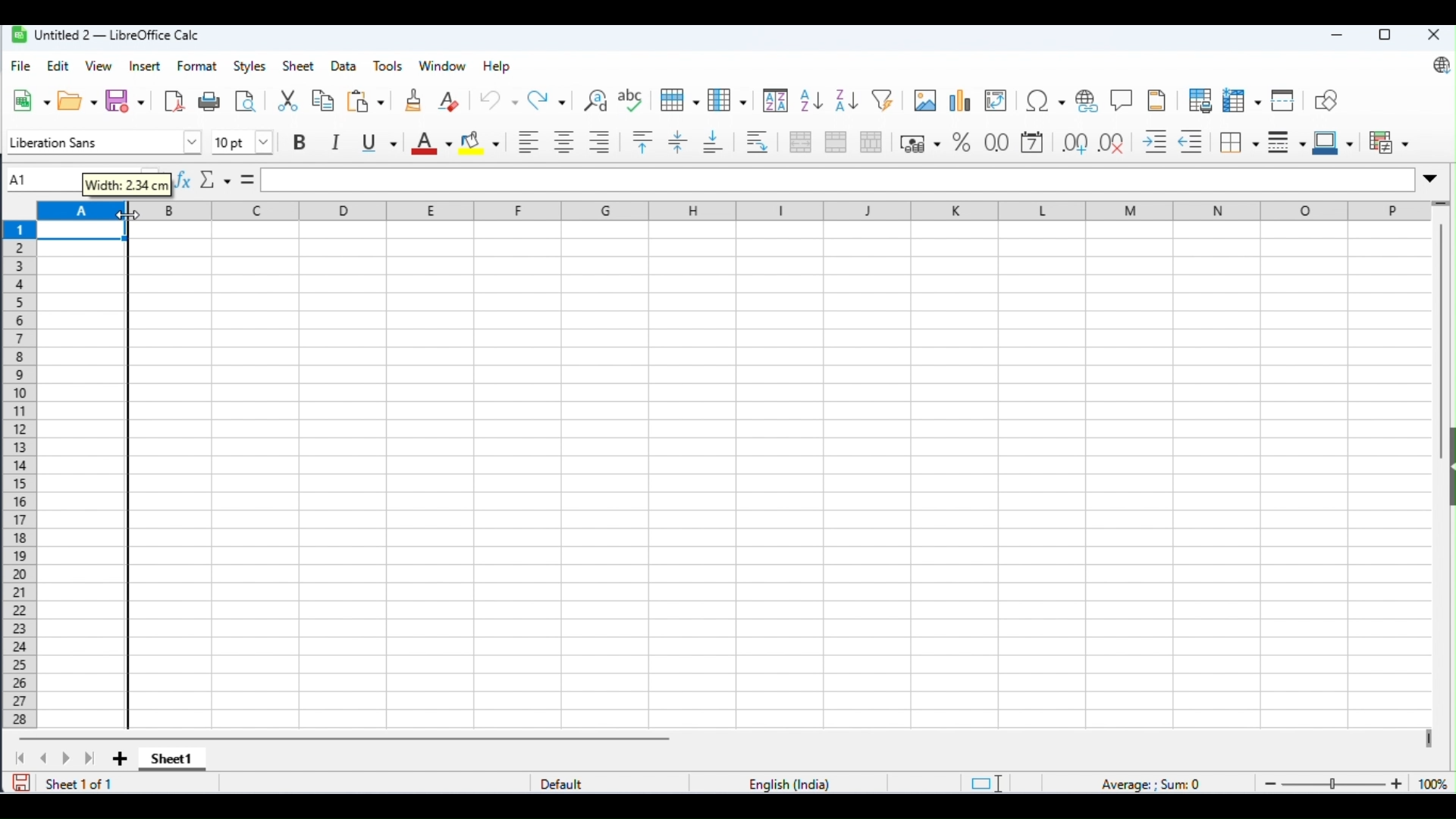  I want to click on wrap , so click(759, 142).